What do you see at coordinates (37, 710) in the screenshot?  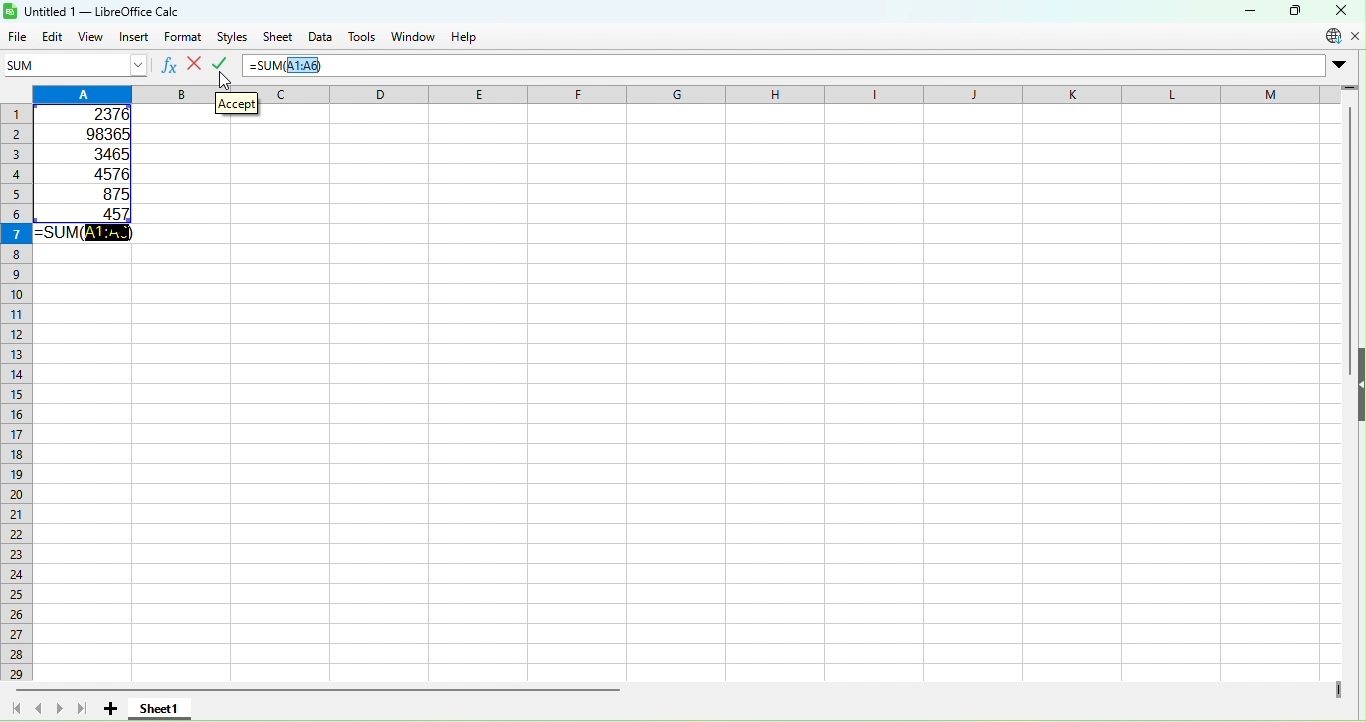 I see `Scroll to previous sheet` at bounding box center [37, 710].